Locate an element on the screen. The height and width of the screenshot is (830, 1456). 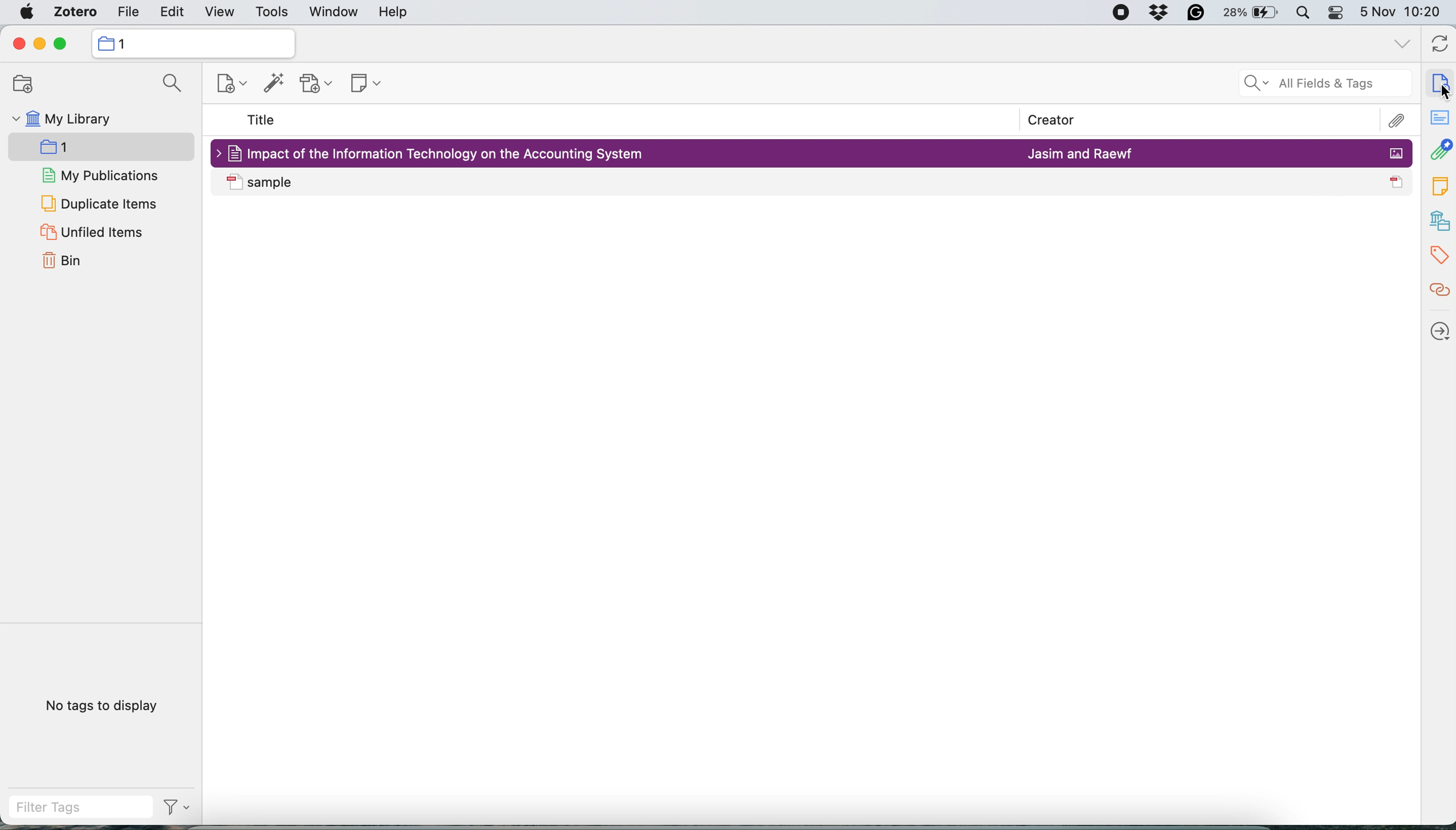
sample is located at coordinates (448, 181).